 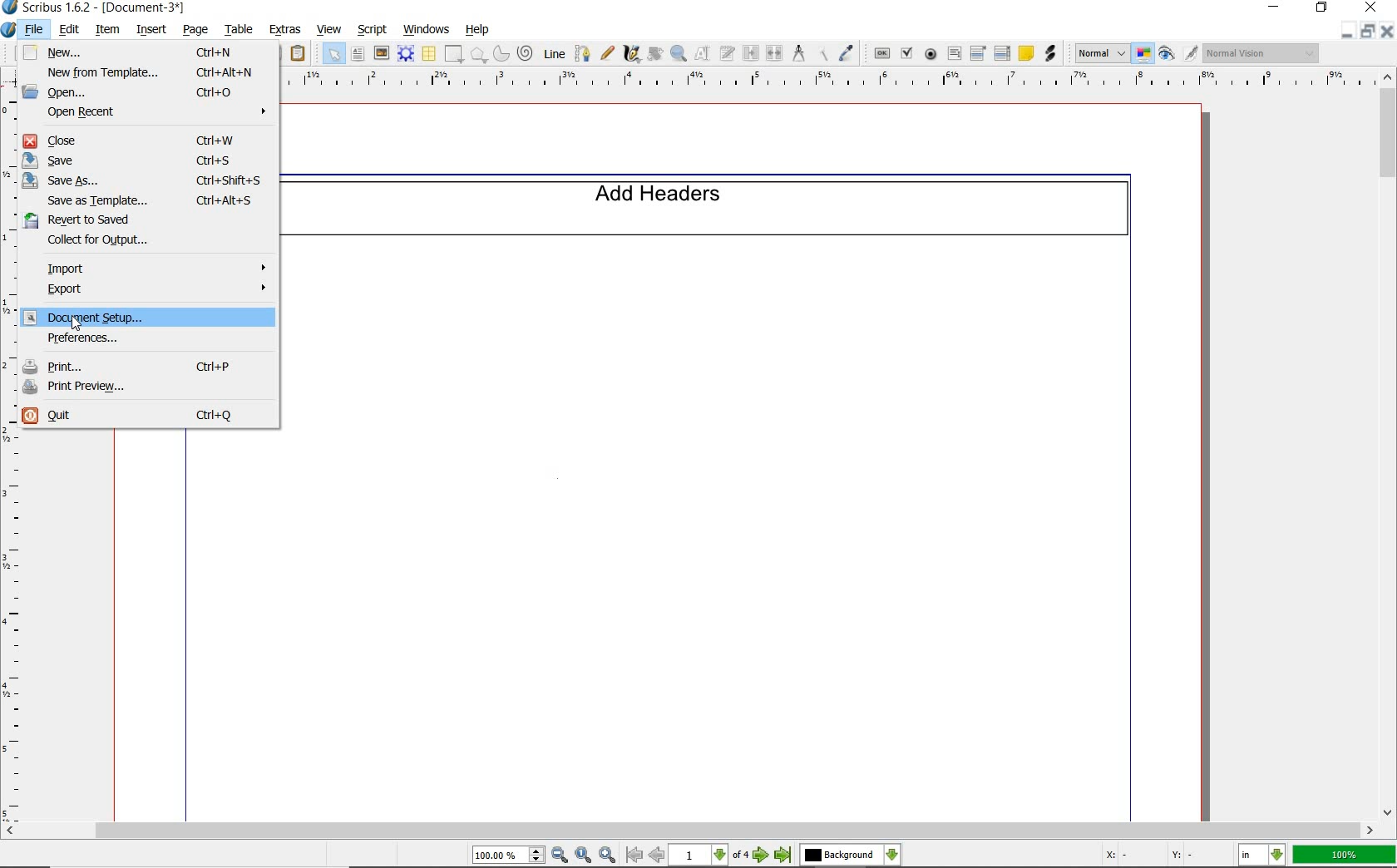 I want to click on new from template, so click(x=147, y=72).